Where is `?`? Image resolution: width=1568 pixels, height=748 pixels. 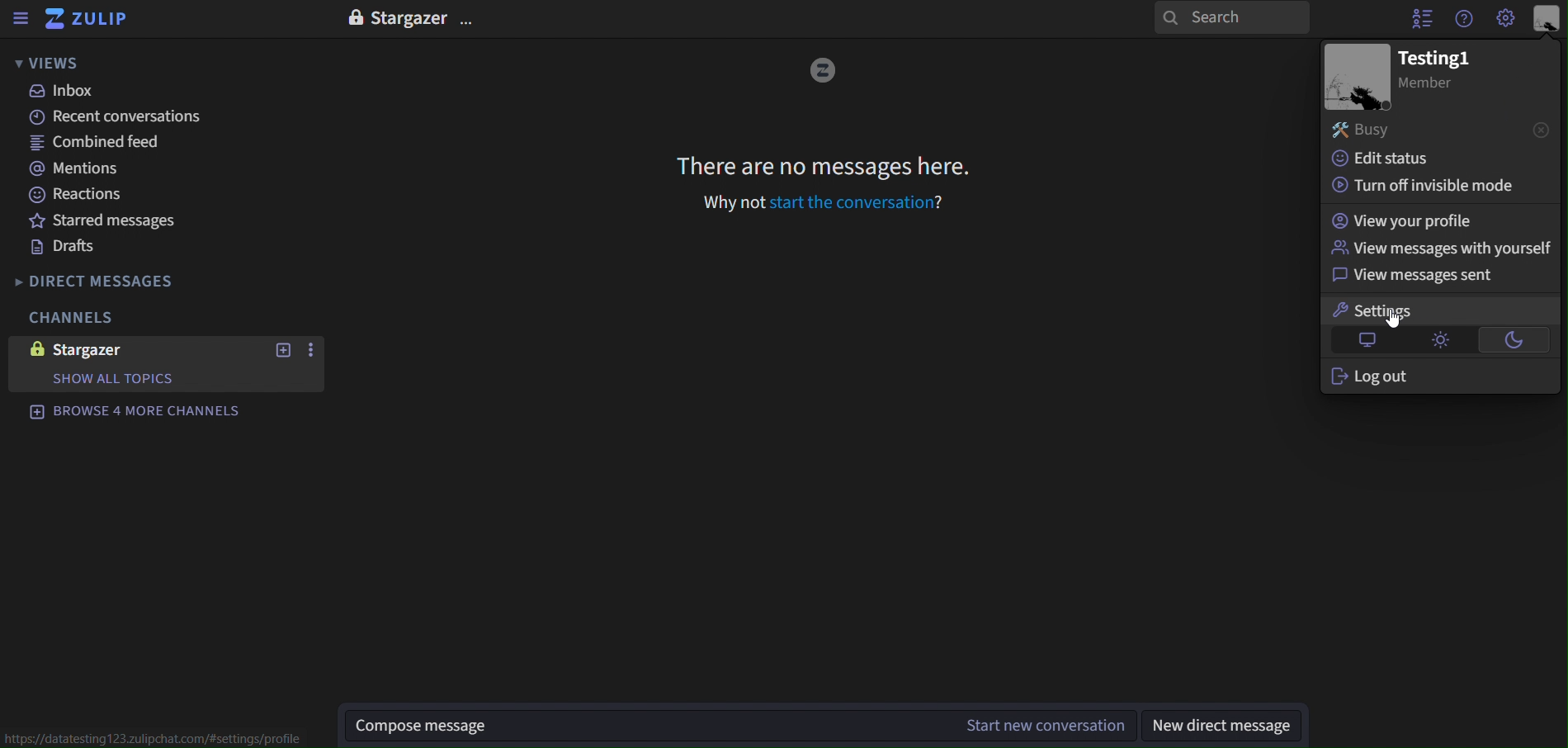
? is located at coordinates (944, 201).